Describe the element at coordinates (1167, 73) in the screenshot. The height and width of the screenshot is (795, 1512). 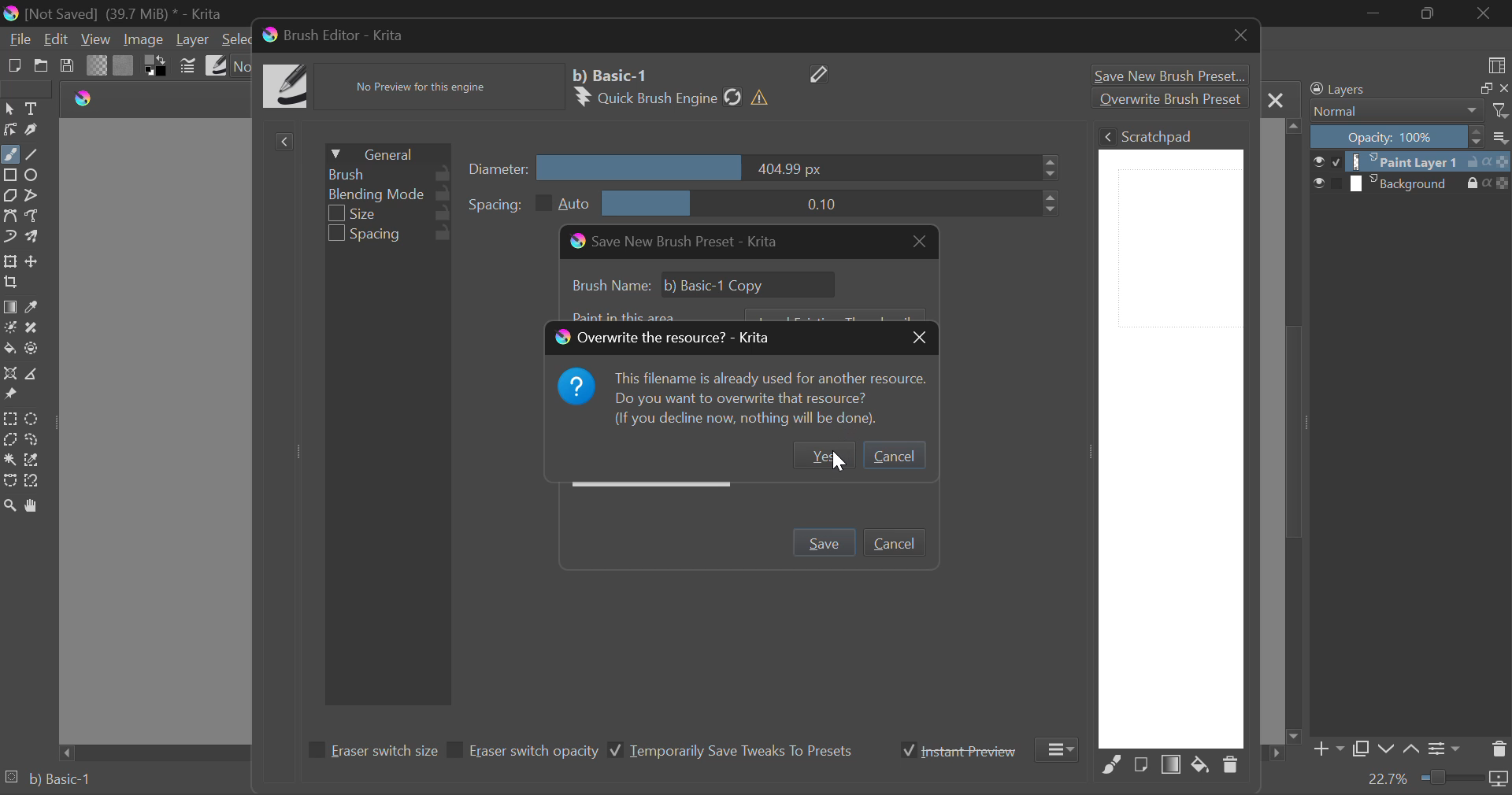
I see `Save New Brush Preset` at that location.